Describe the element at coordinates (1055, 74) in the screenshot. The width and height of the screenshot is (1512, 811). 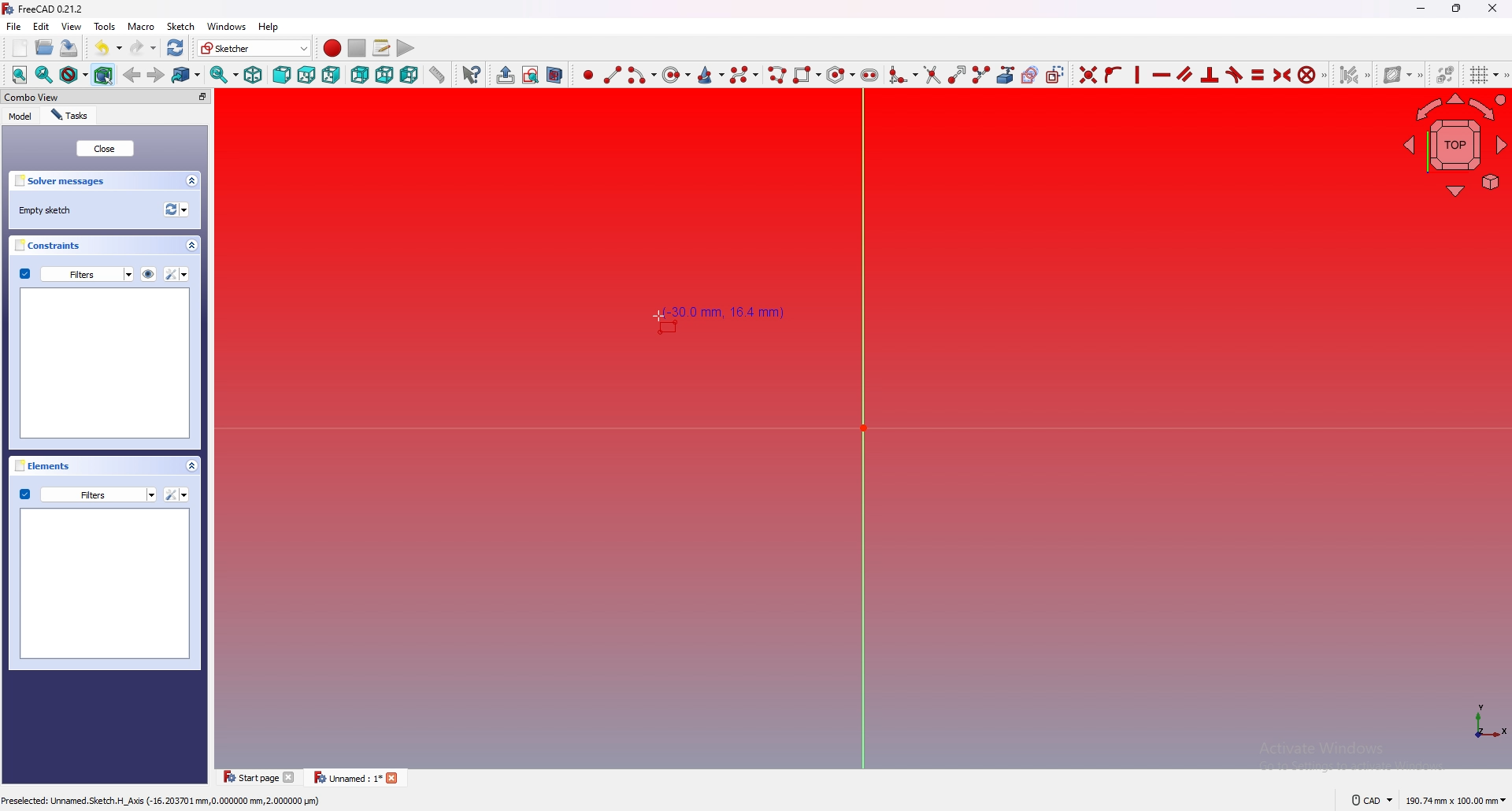
I see `toggle construction geometry` at that location.